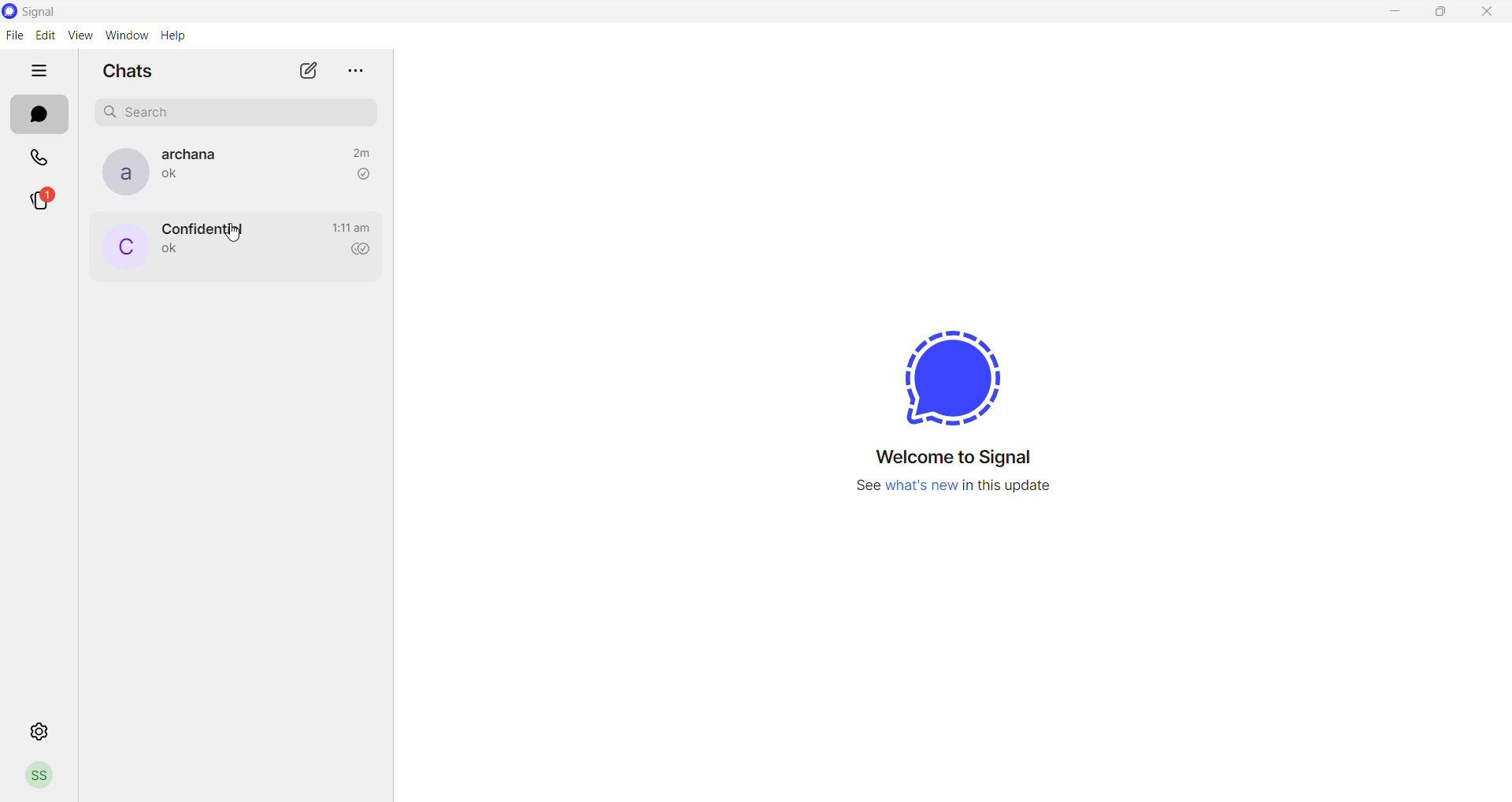 This screenshot has height=802, width=1512. I want to click on search box, so click(240, 110).